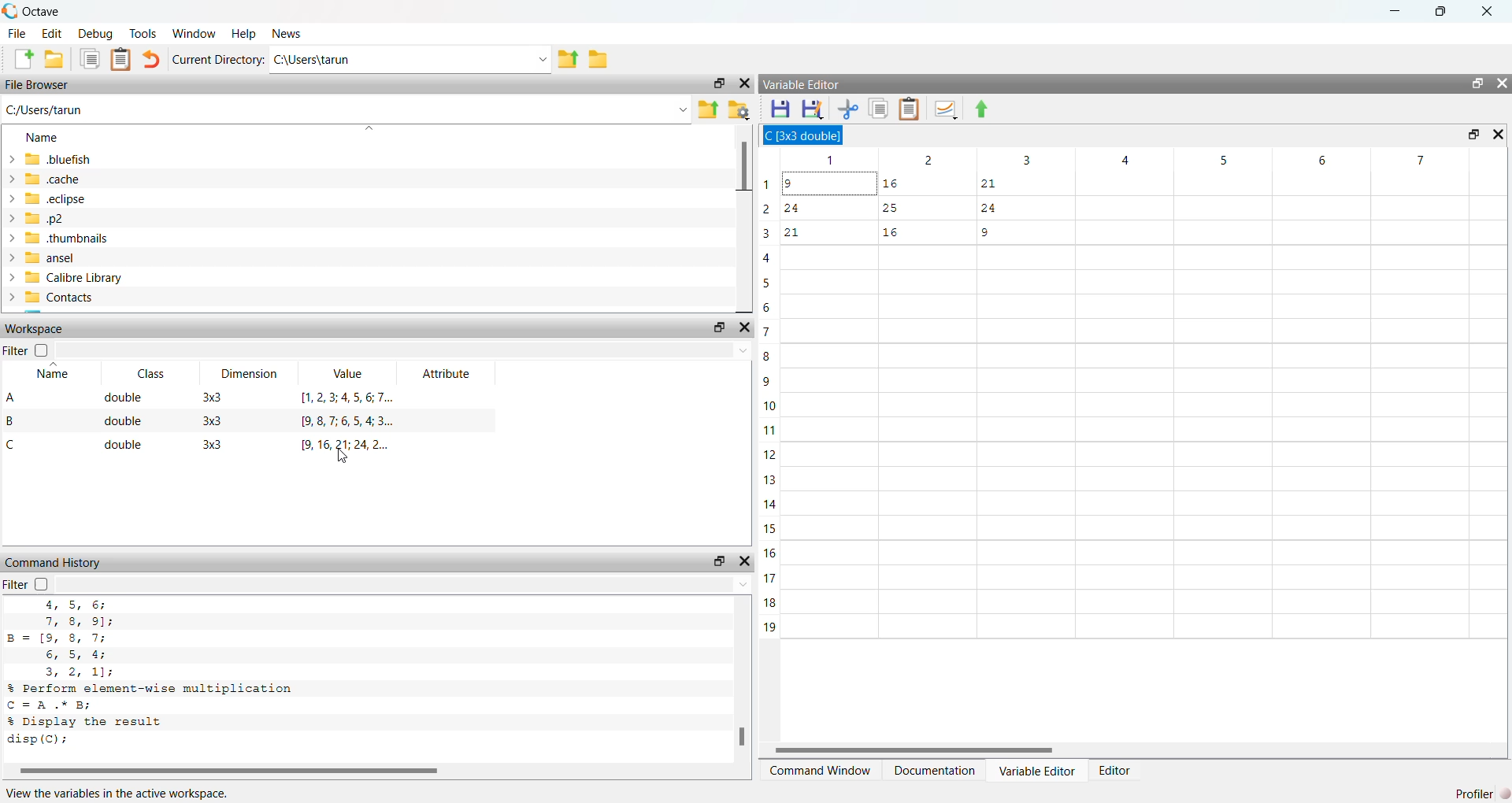 The image size is (1512, 803). What do you see at coordinates (90, 721) in the screenshot?
I see `% Display the result` at bounding box center [90, 721].